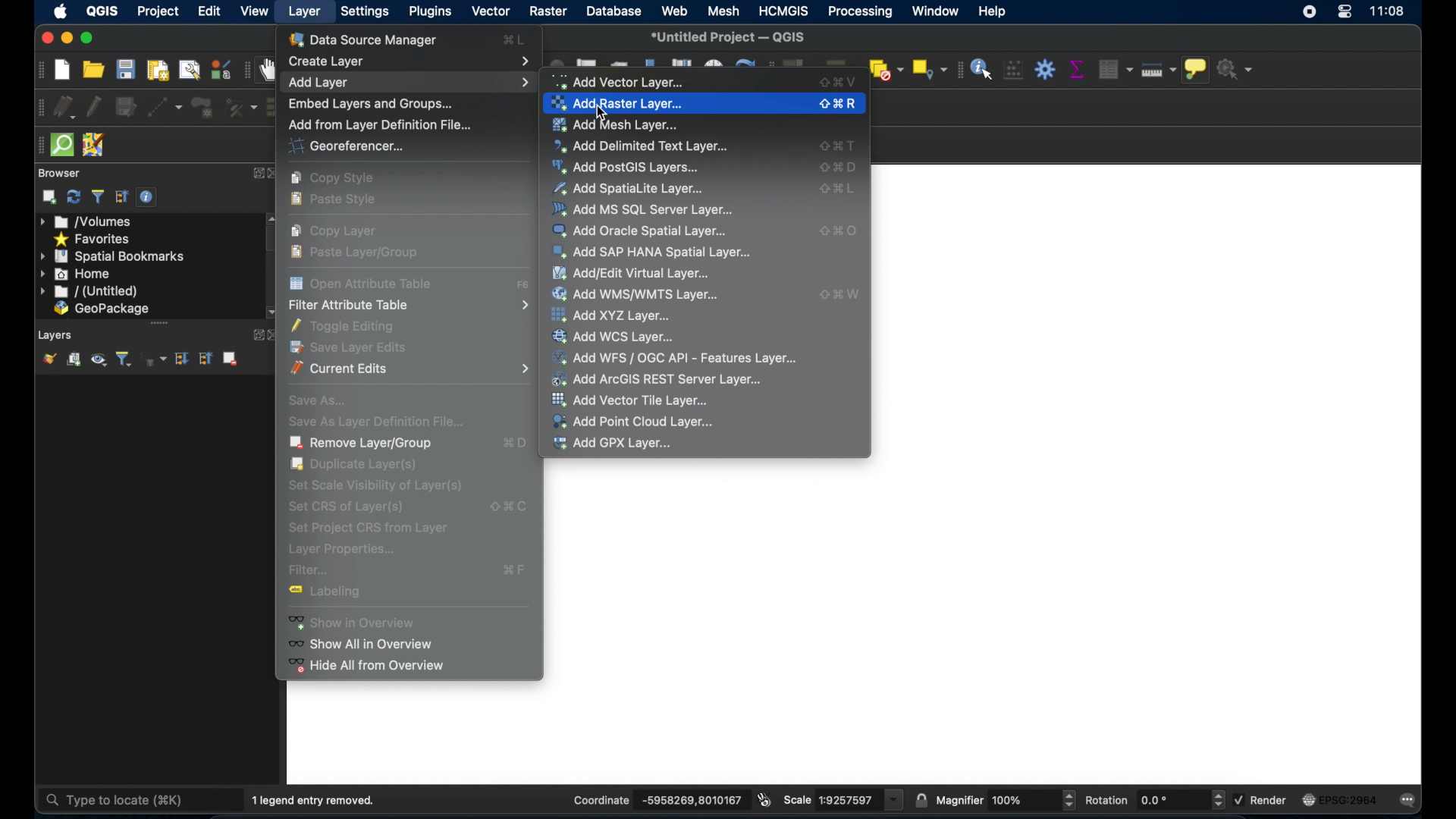 Image resolution: width=1456 pixels, height=819 pixels. Describe the element at coordinates (275, 240) in the screenshot. I see `scroll box` at that location.